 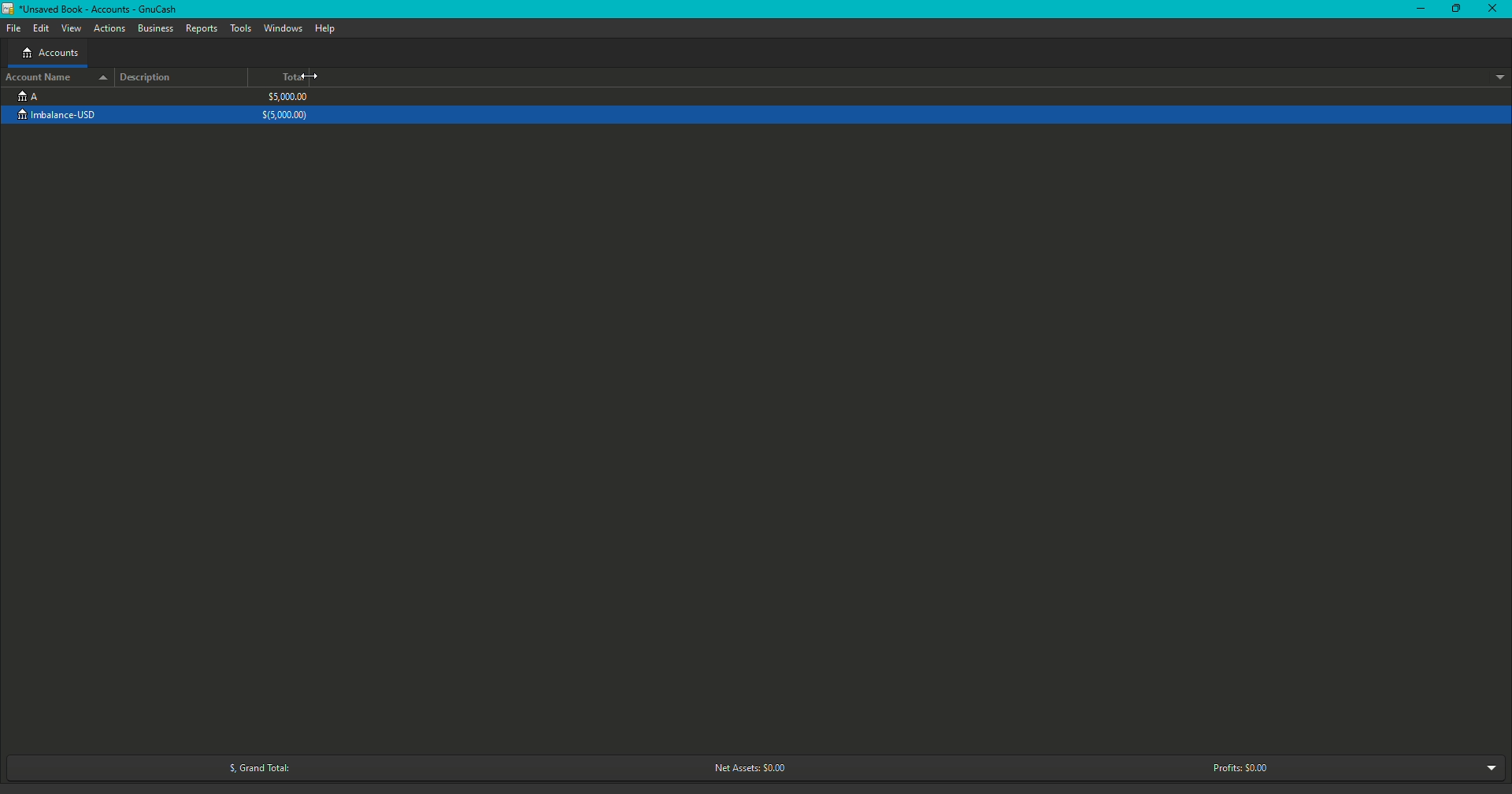 What do you see at coordinates (1455, 9) in the screenshot?
I see `Restore` at bounding box center [1455, 9].